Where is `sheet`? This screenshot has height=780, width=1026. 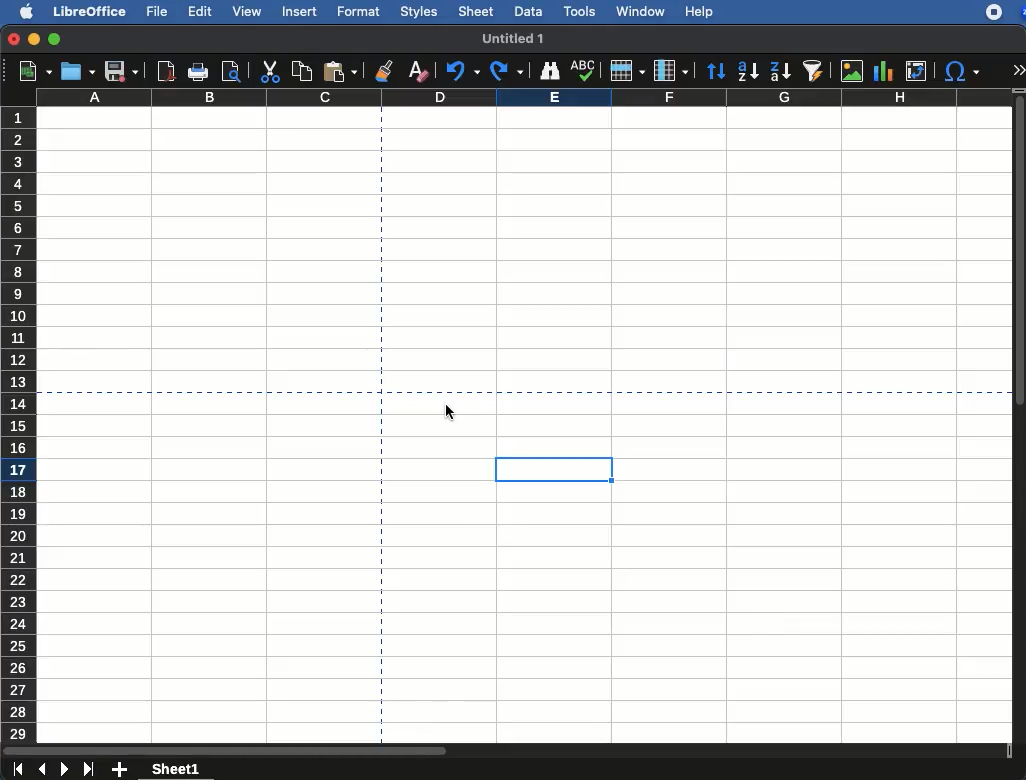 sheet is located at coordinates (477, 12).